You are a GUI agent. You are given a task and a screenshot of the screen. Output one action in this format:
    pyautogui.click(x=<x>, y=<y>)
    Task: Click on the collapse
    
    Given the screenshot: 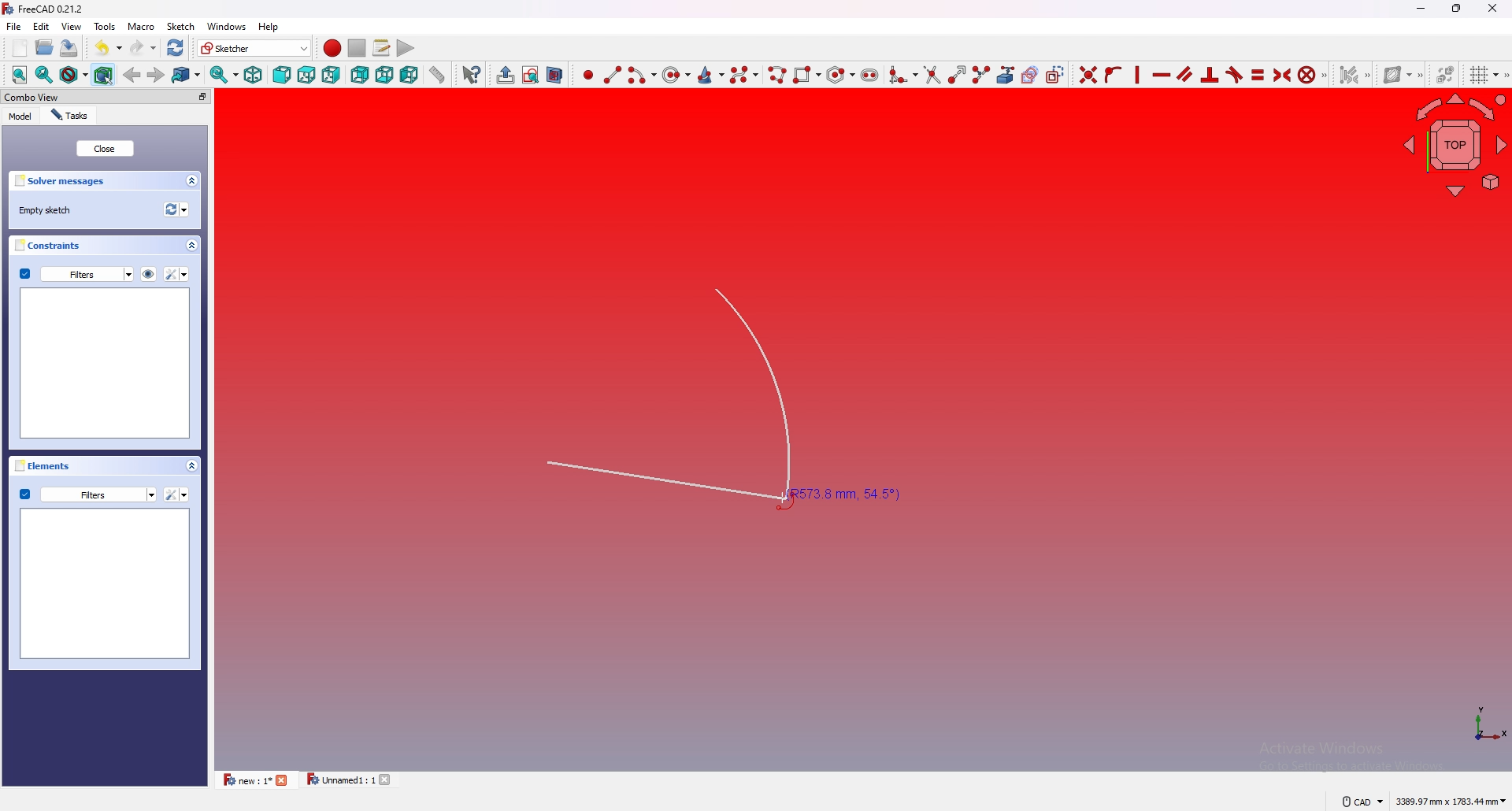 What is the action you would take?
    pyautogui.click(x=192, y=181)
    